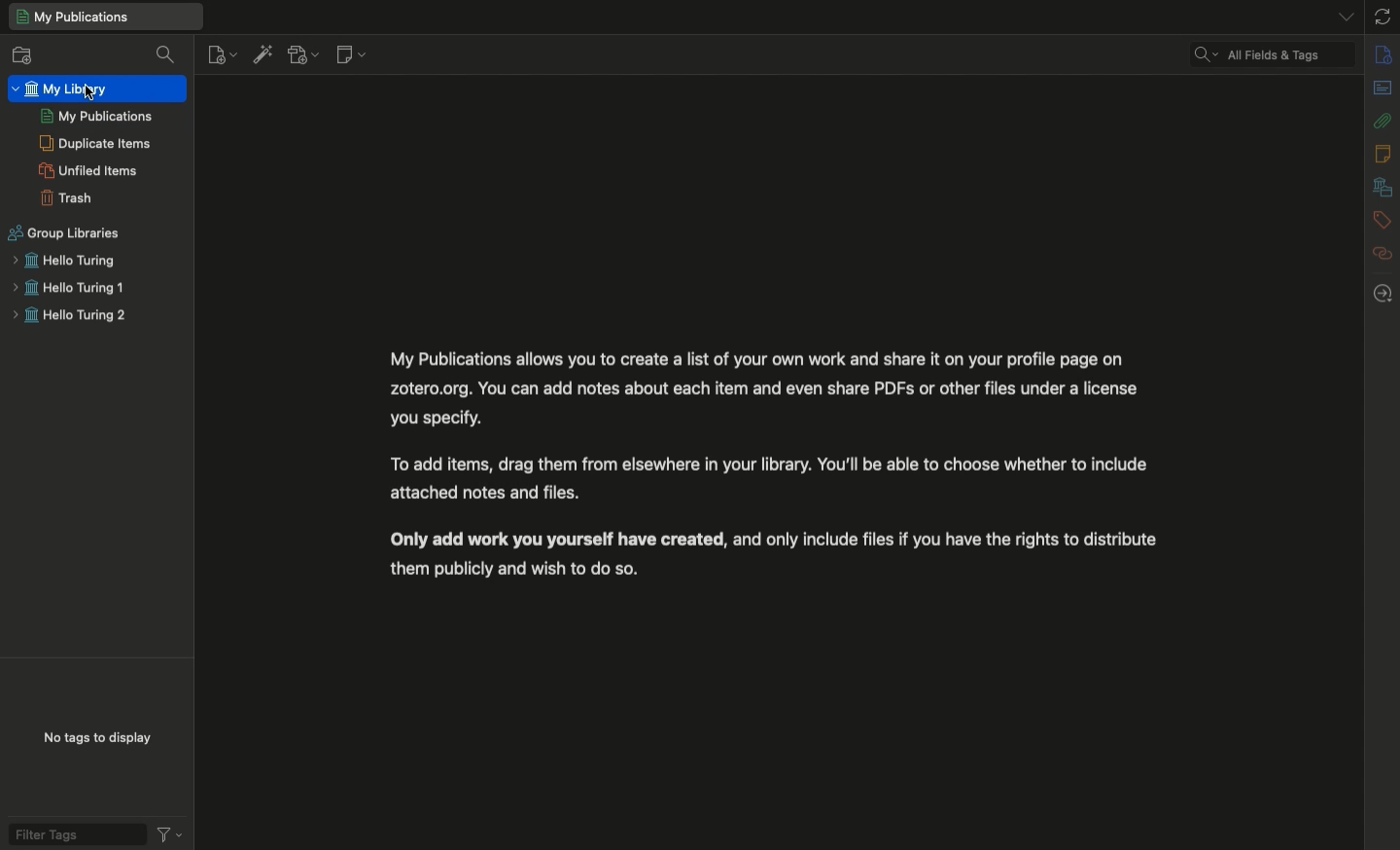  I want to click on Libraries and collections, so click(1382, 189).